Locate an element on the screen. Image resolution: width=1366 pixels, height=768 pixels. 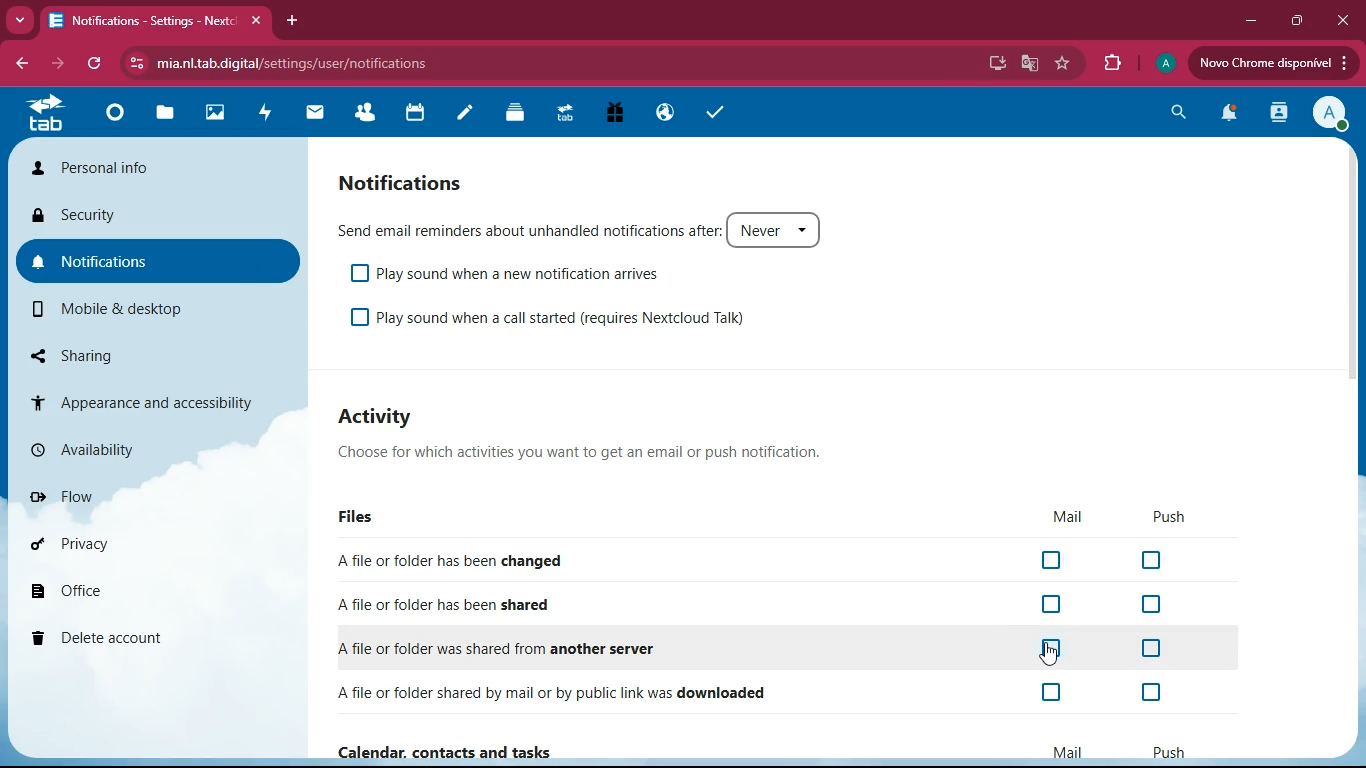
url is located at coordinates (292, 64).